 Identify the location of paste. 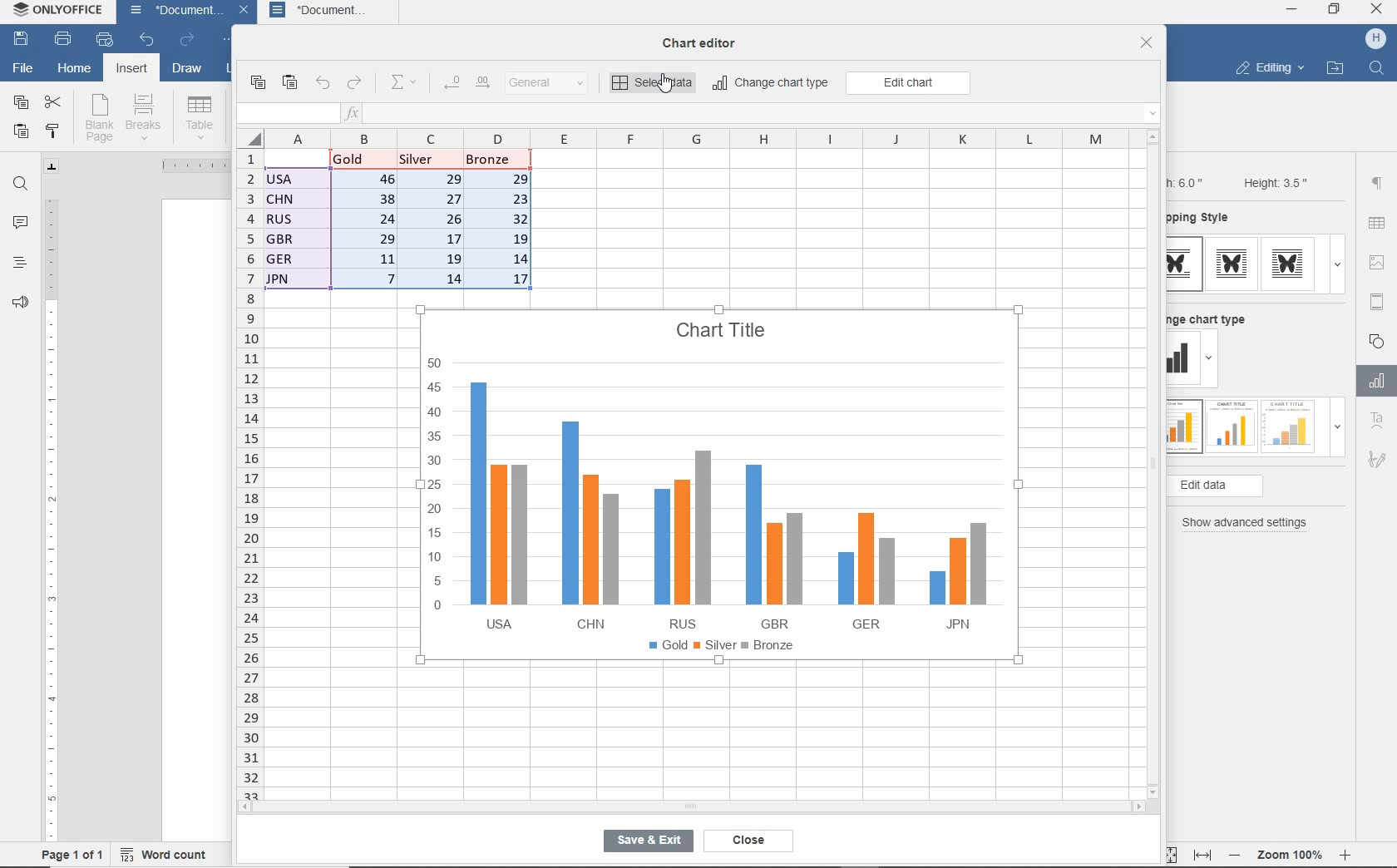
(21, 133).